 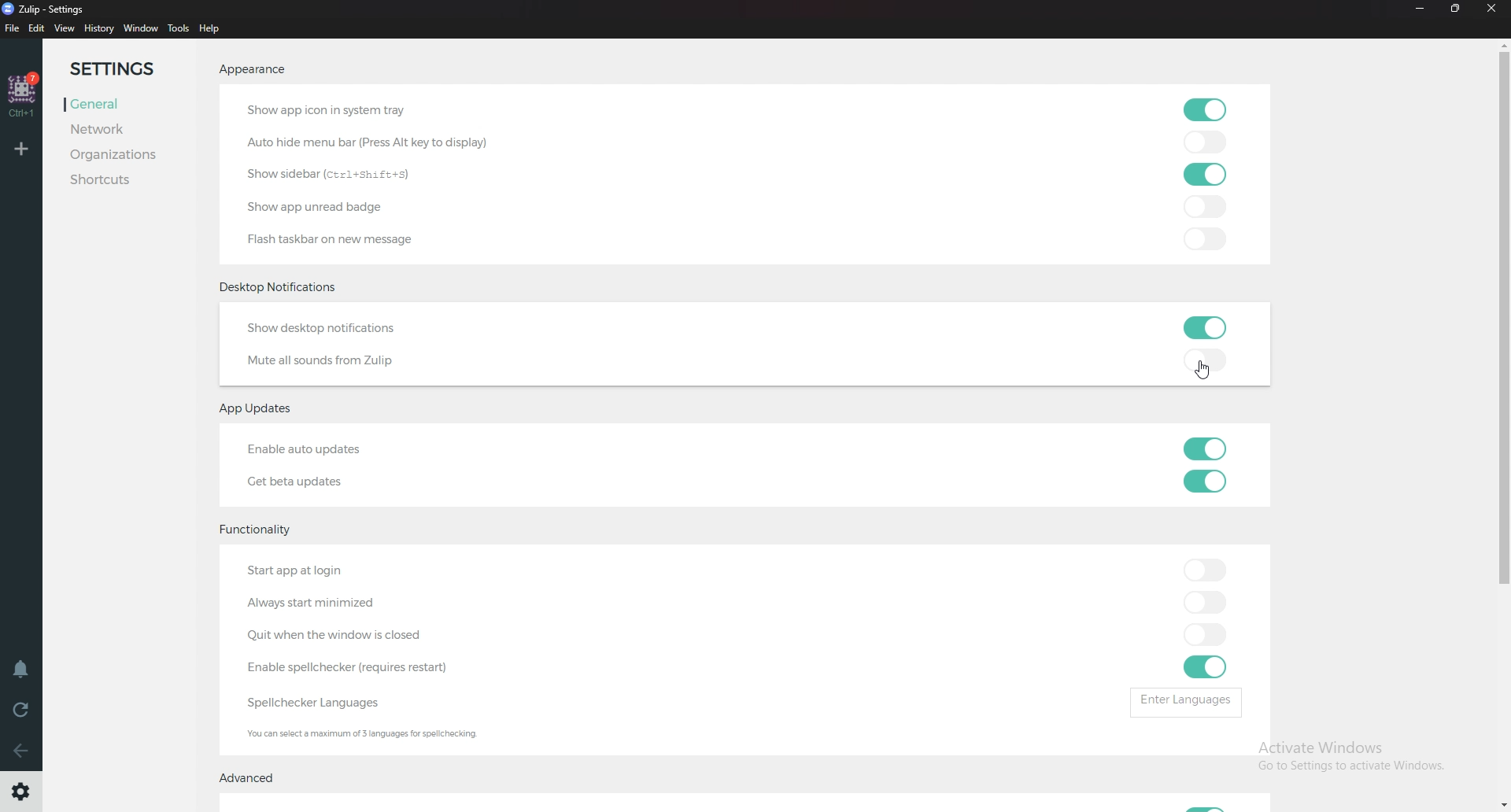 What do you see at coordinates (1206, 329) in the screenshot?
I see `toggle` at bounding box center [1206, 329].